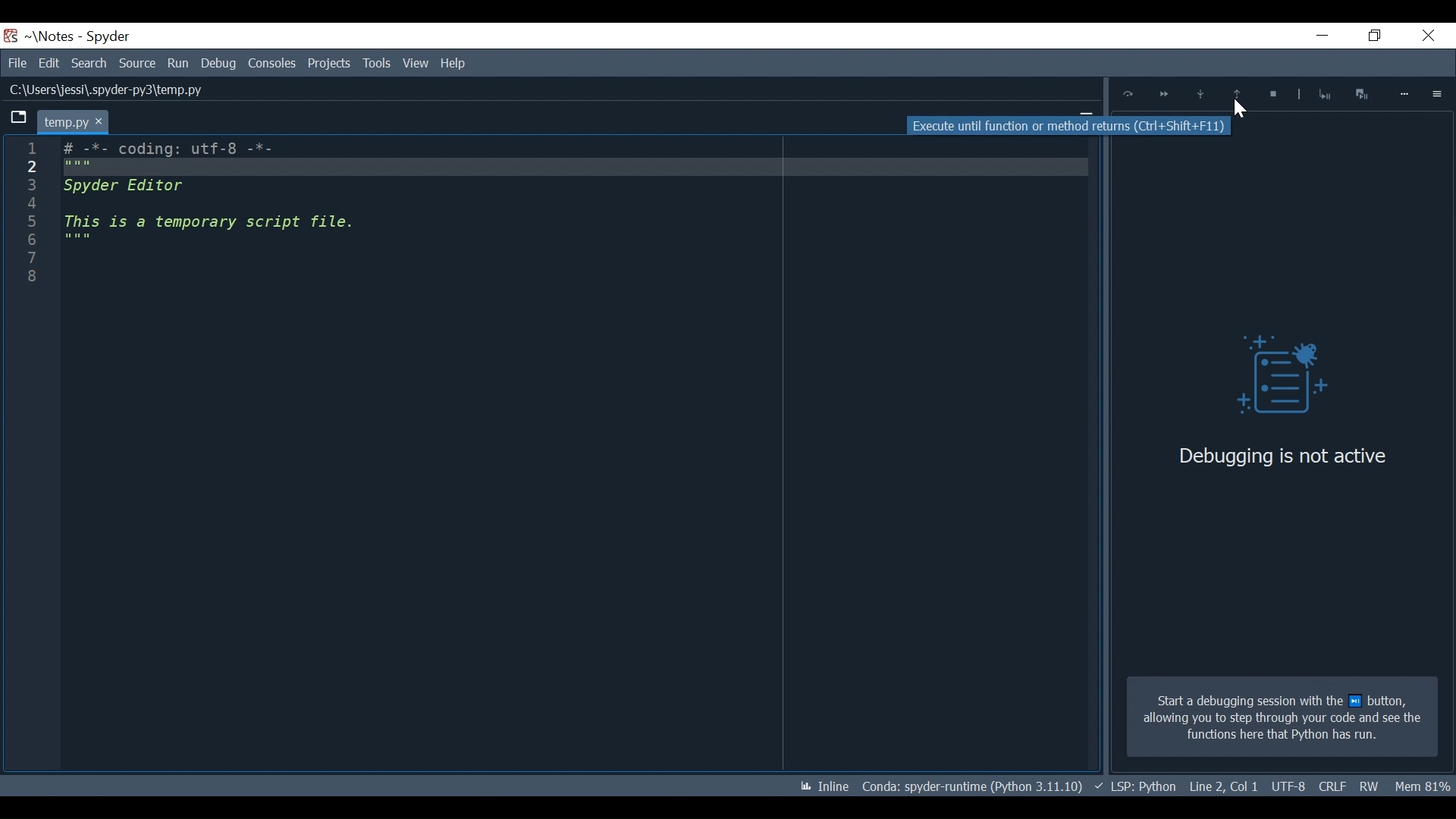 Image resolution: width=1456 pixels, height=819 pixels. What do you see at coordinates (30, 218) in the screenshot?
I see `1 2 3 4 5 6 7 8` at bounding box center [30, 218].